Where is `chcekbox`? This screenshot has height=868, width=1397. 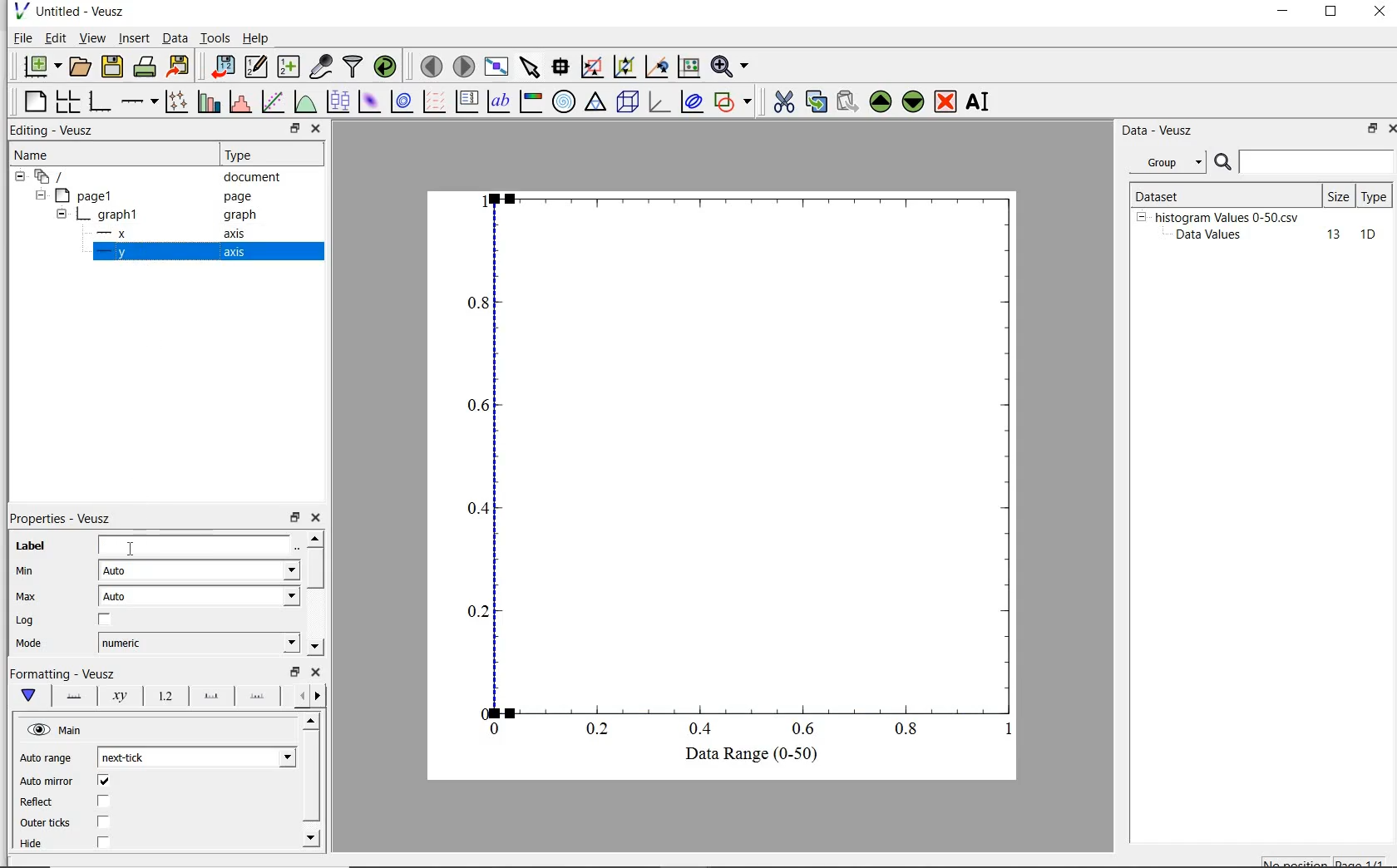 chcekbox is located at coordinates (106, 620).